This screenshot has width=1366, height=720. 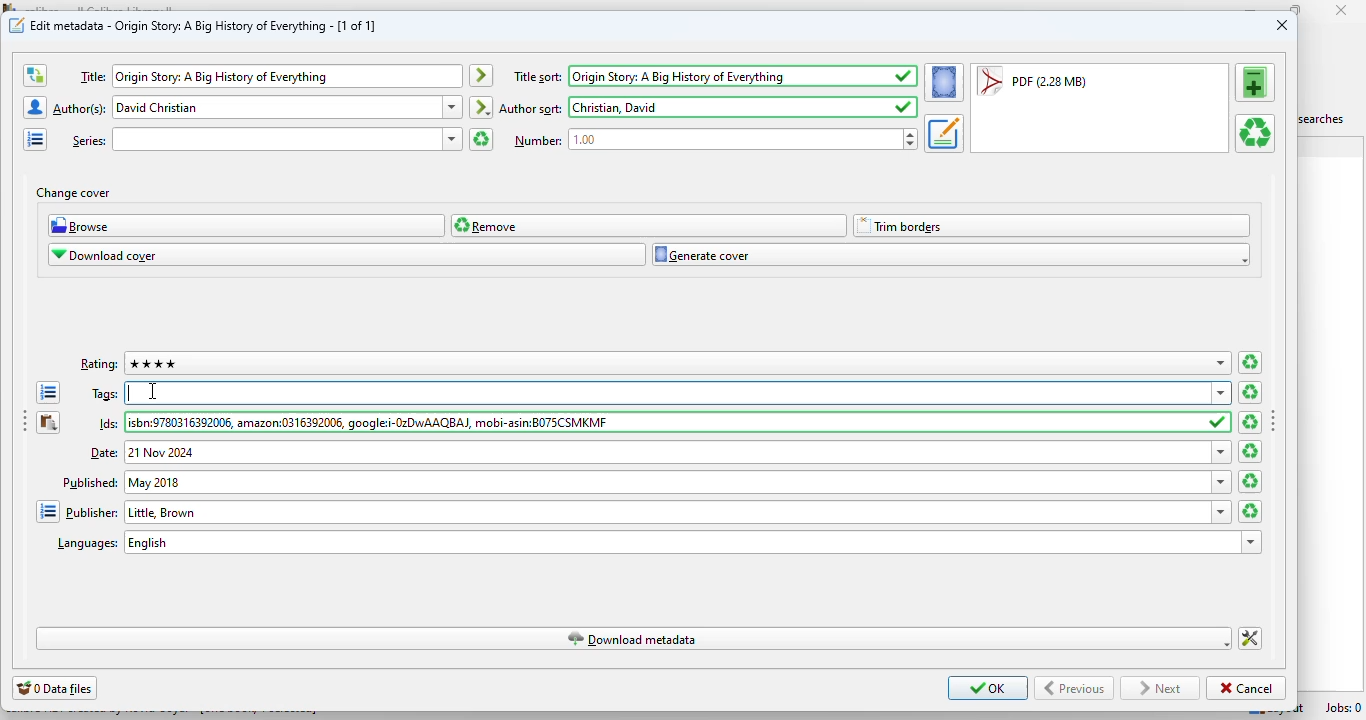 I want to click on close, so click(x=1342, y=10).